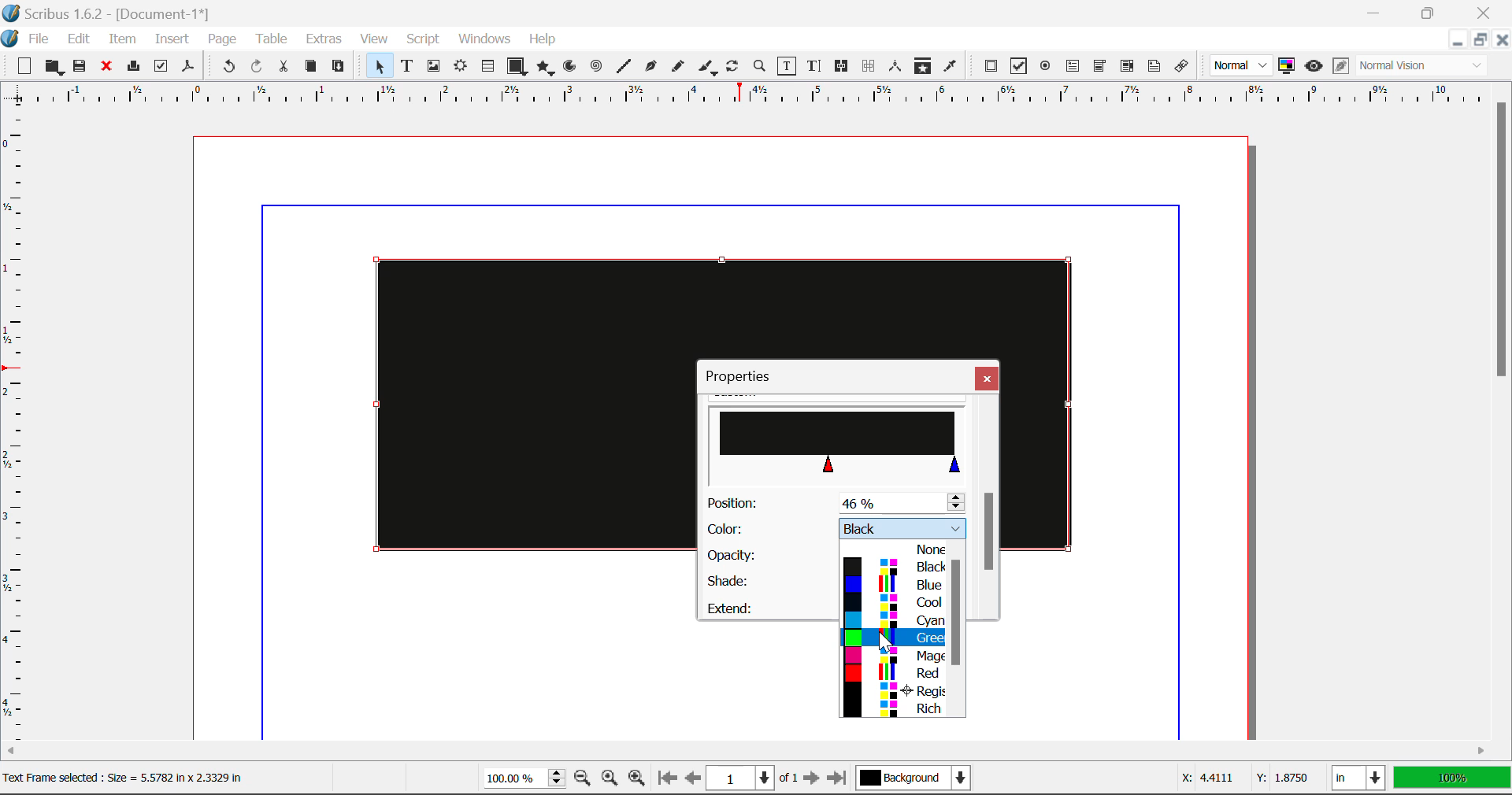 This screenshot has width=1512, height=795. I want to click on Spirals, so click(595, 68).